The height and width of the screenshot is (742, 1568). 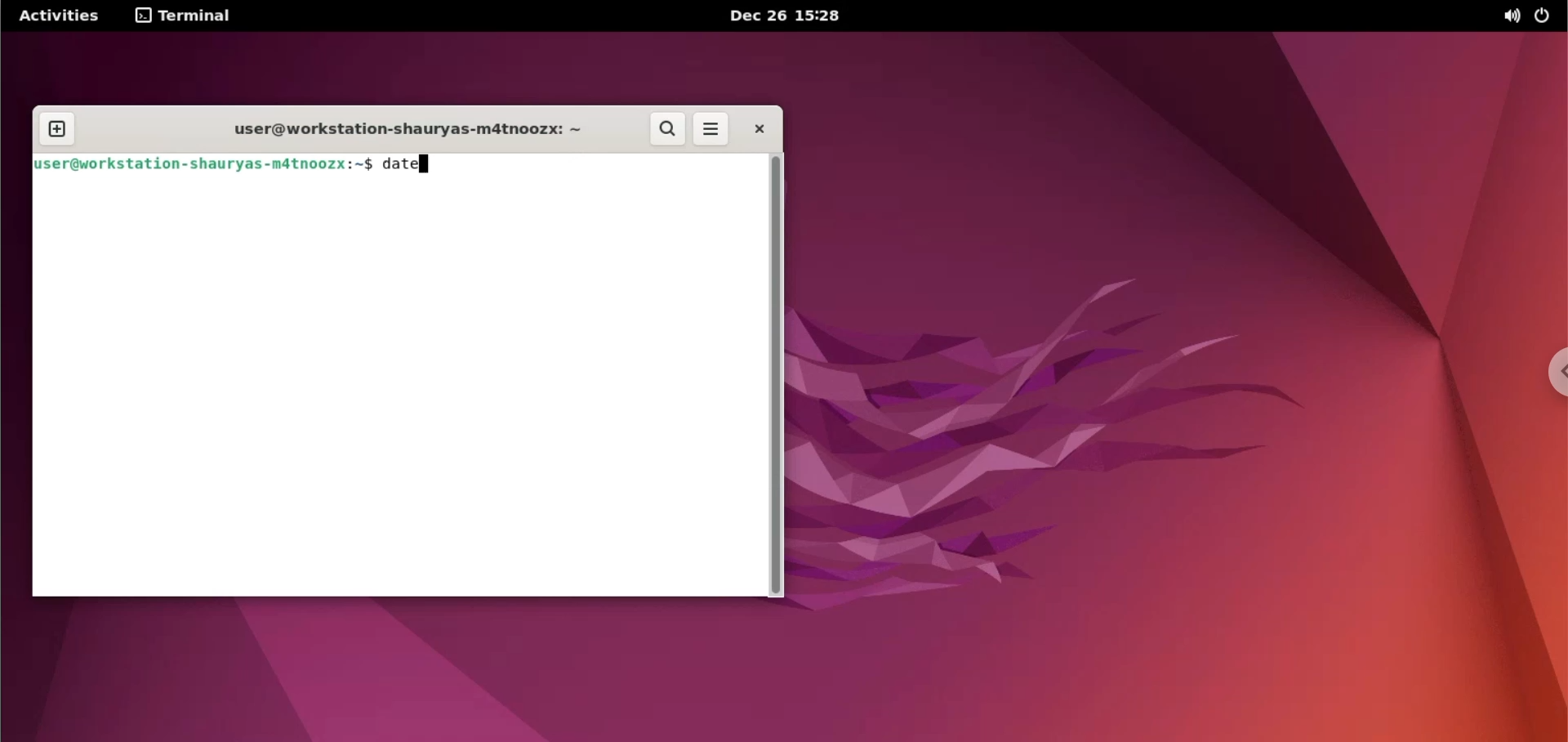 I want to click on sound options, so click(x=1510, y=16).